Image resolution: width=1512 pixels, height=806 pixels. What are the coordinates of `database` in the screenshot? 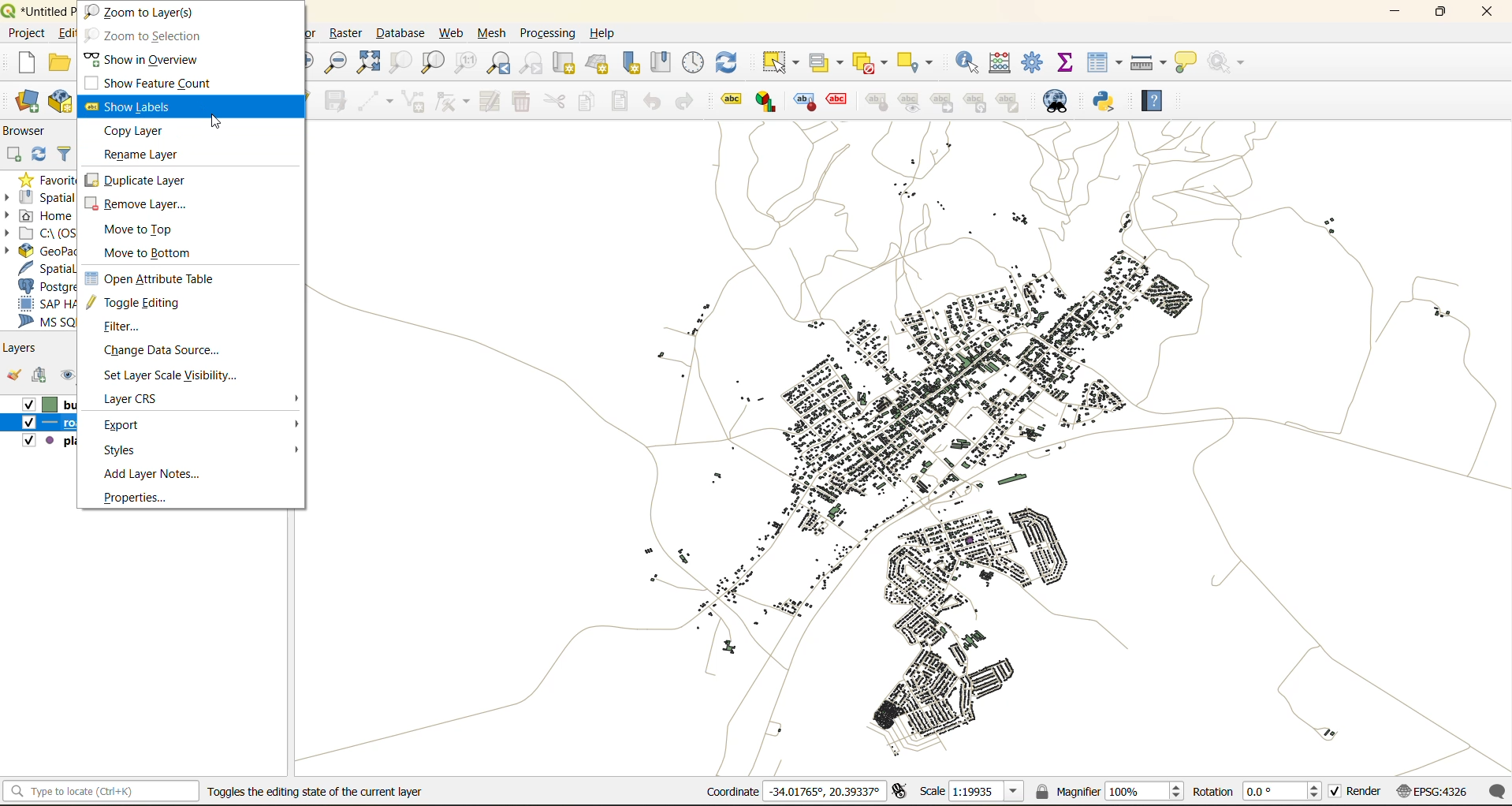 It's located at (400, 34).